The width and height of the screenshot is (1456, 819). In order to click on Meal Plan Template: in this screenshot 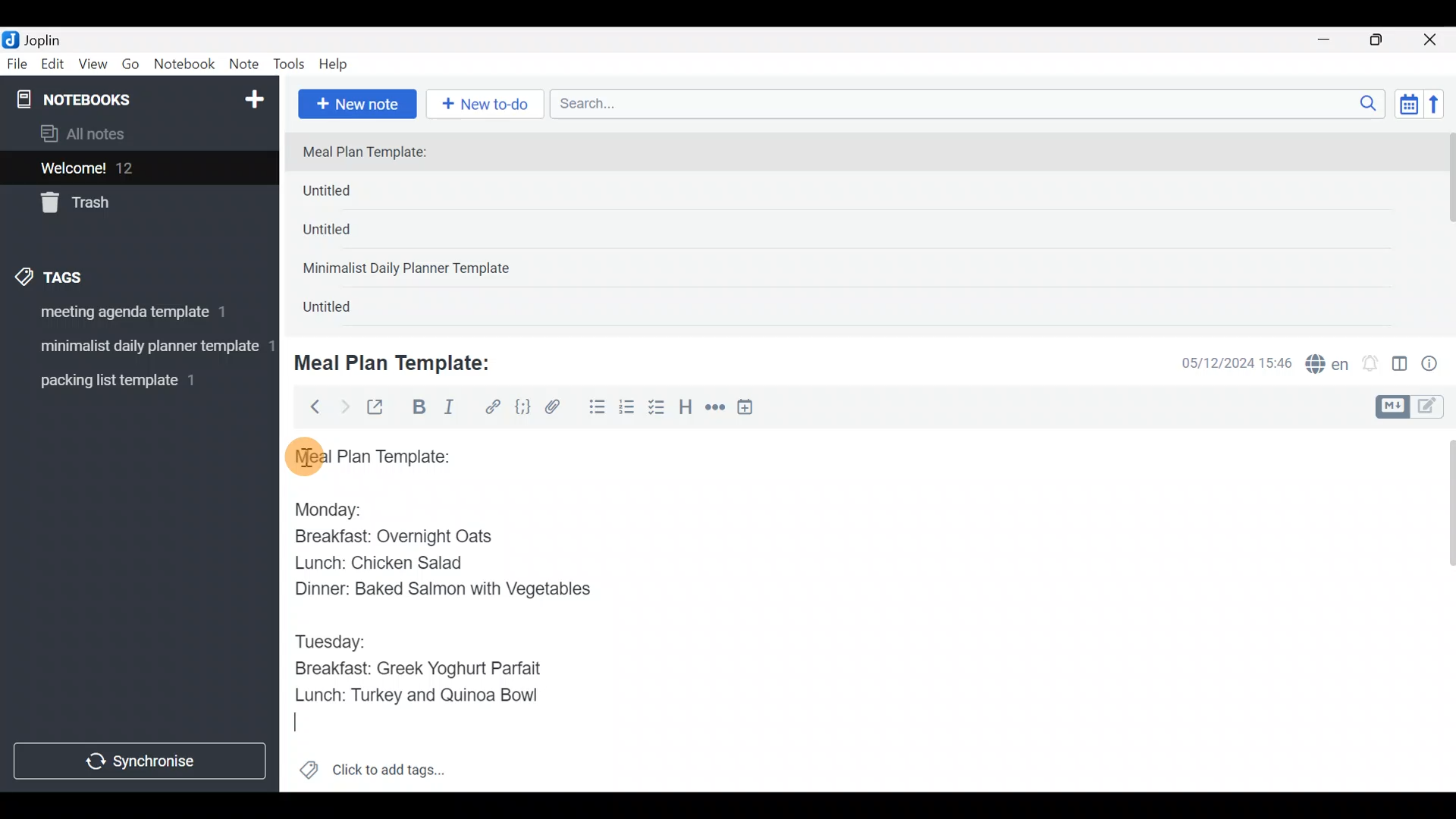, I will do `click(374, 153)`.